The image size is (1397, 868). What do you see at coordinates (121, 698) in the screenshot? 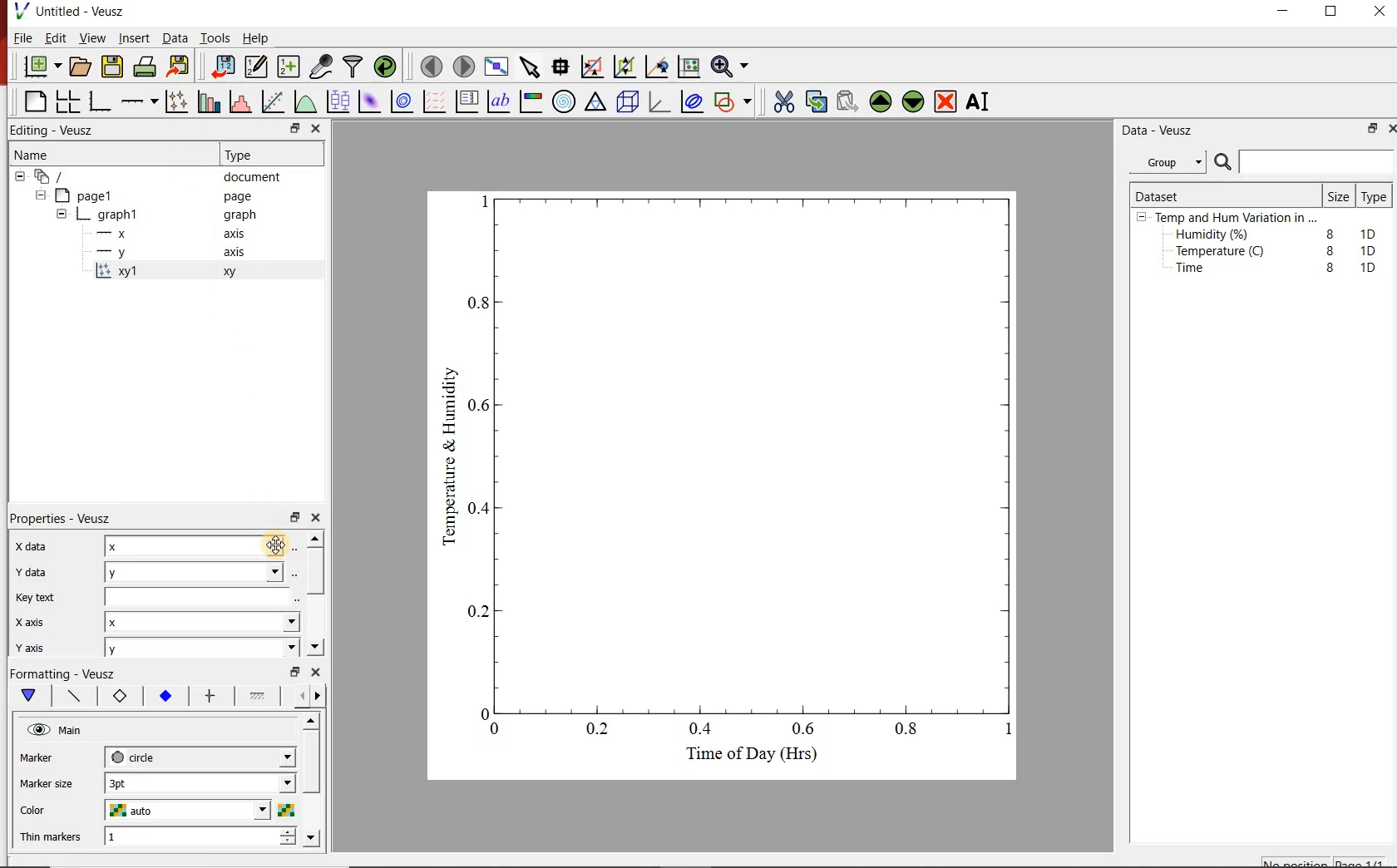
I see `marker border` at bounding box center [121, 698].